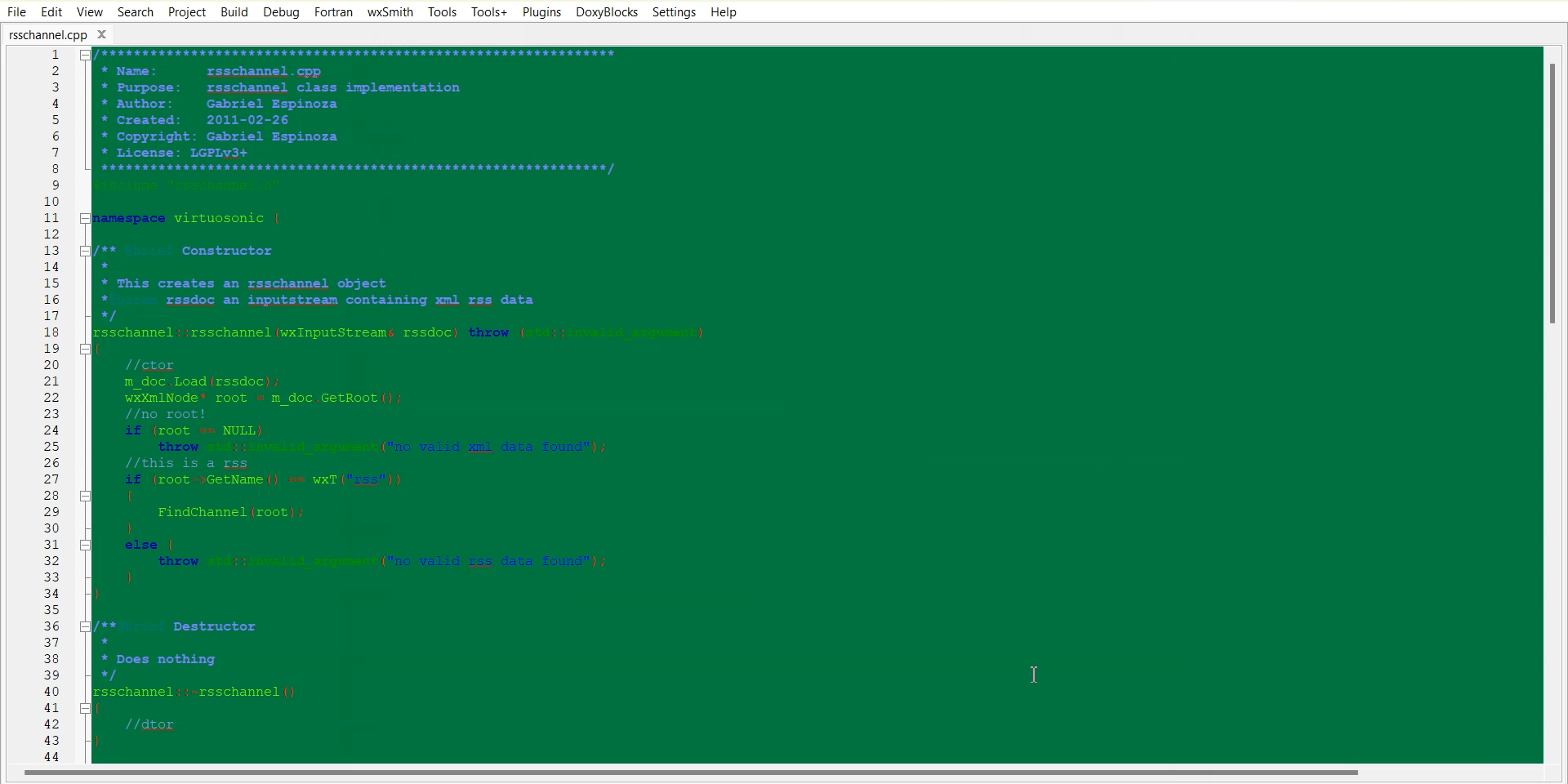 The image size is (1568, 784). Describe the element at coordinates (488, 11) in the screenshot. I see `Tools+` at that location.